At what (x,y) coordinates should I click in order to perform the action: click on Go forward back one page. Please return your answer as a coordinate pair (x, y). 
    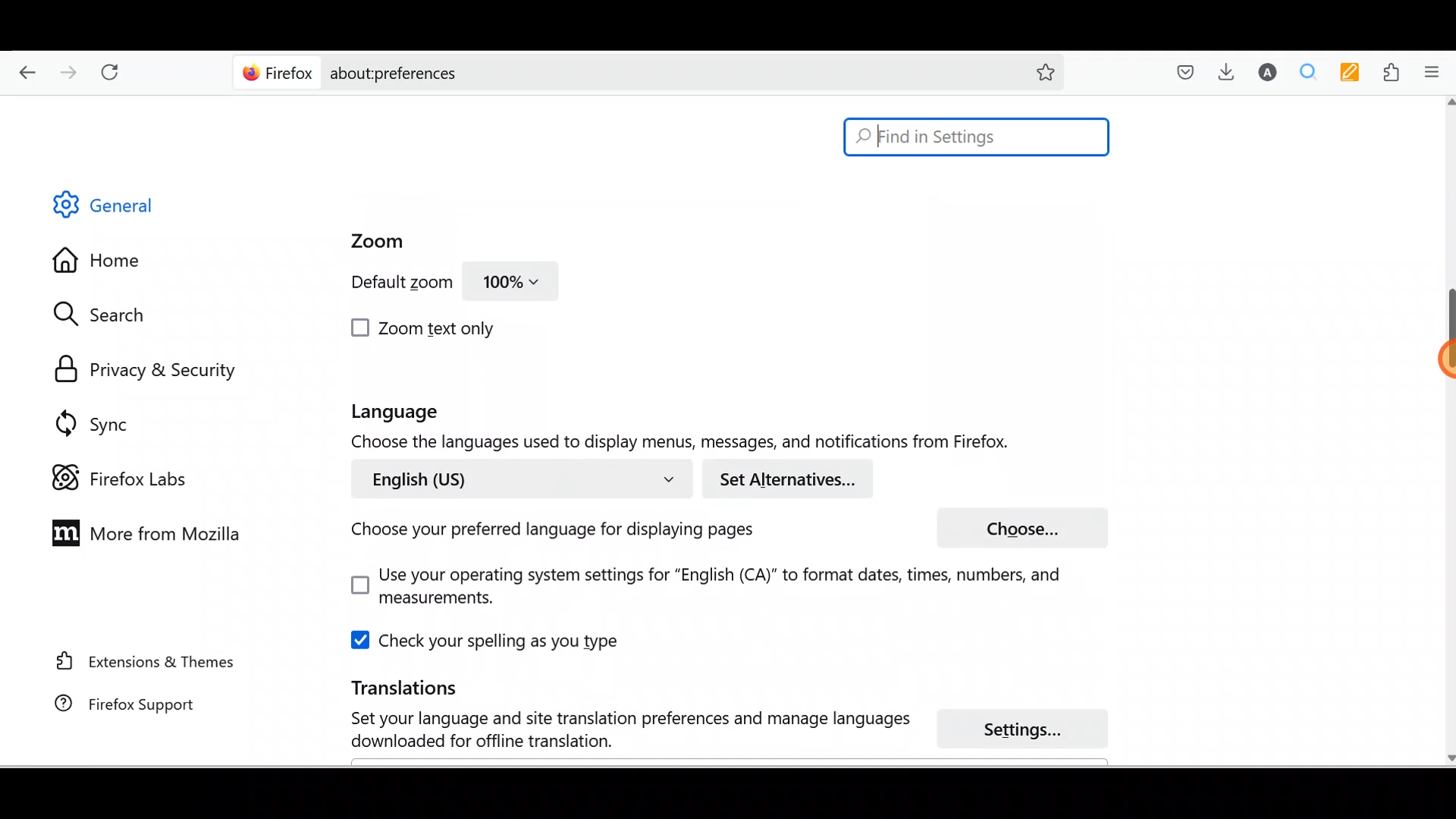
    Looking at the image, I should click on (71, 71).